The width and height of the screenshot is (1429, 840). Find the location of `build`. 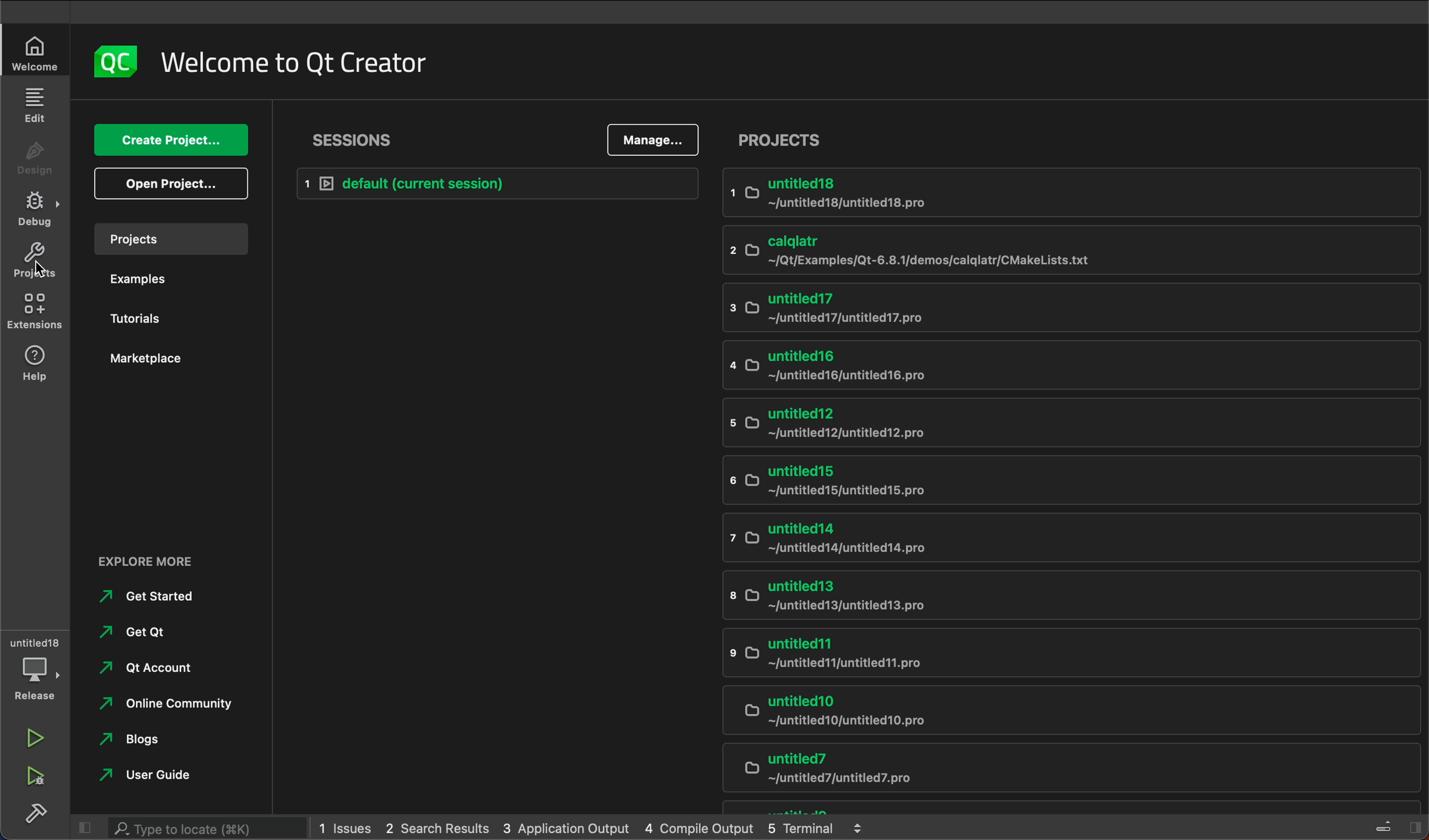

build is located at coordinates (36, 815).